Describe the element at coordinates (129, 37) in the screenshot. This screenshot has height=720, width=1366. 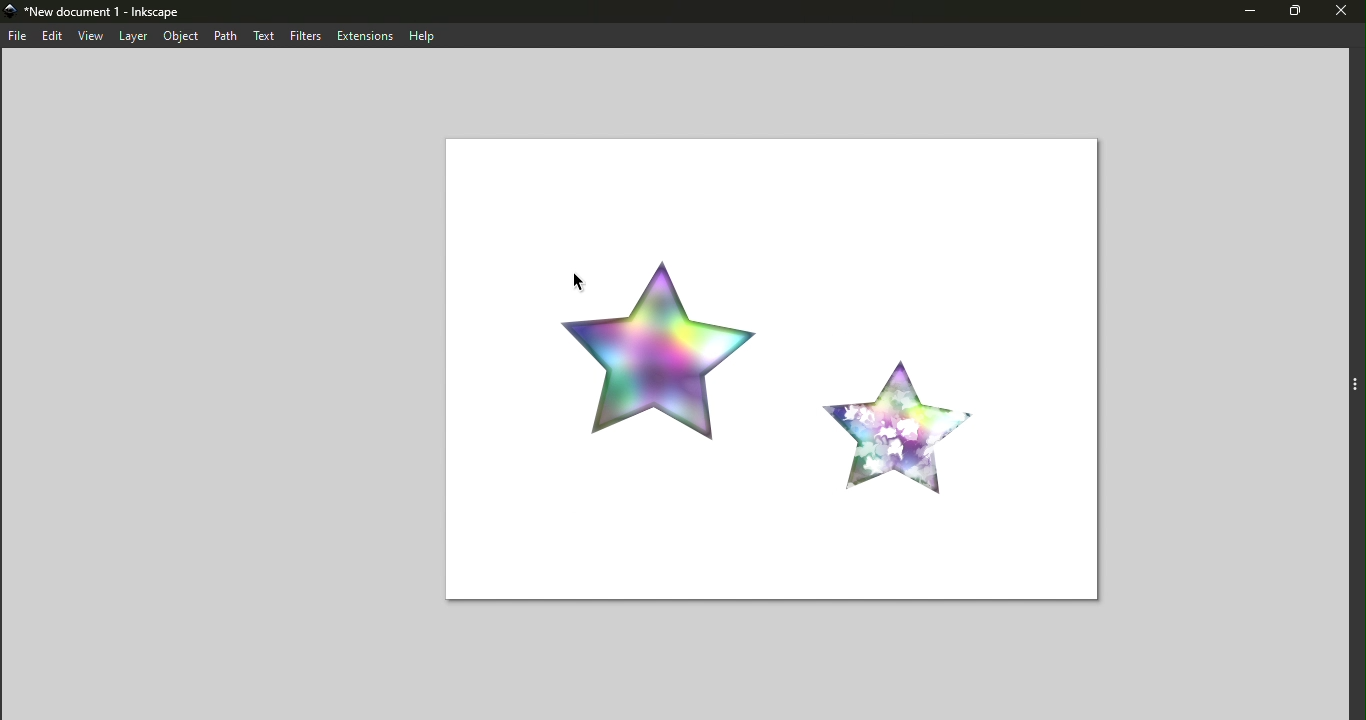
I see `layers` at that location.